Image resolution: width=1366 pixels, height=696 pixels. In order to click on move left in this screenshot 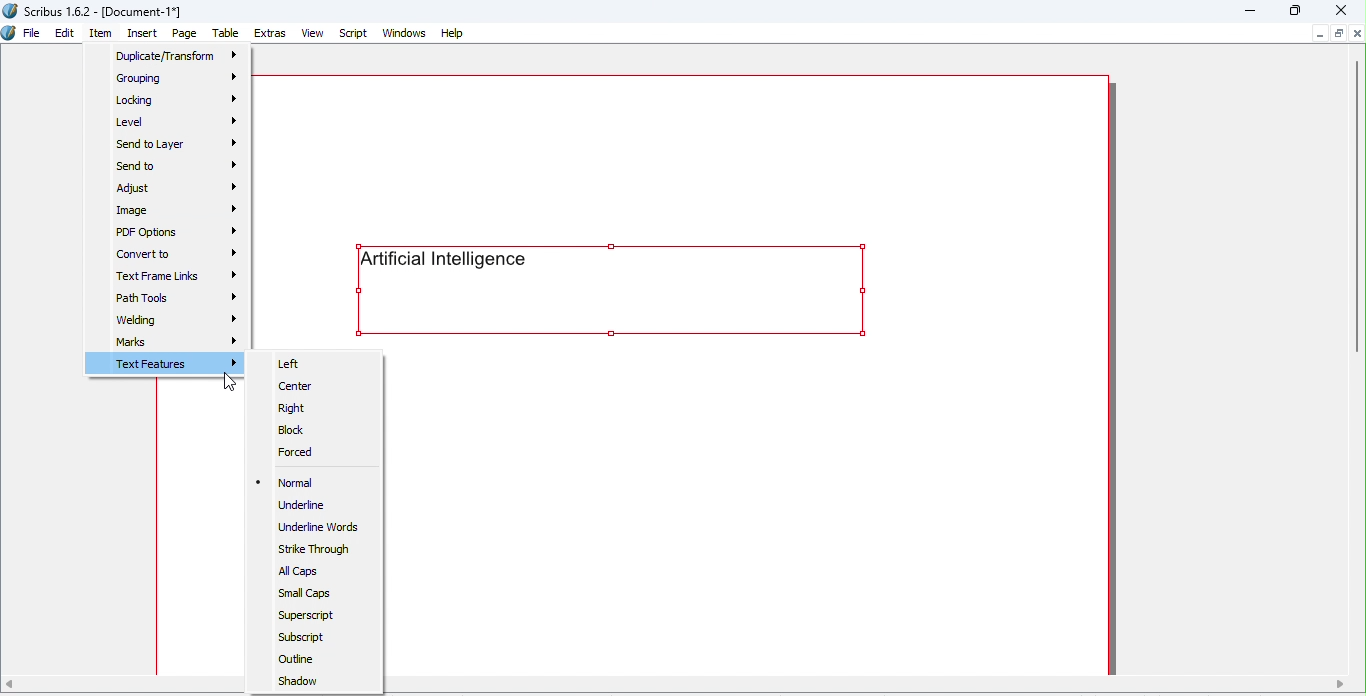, I will do `click(9, 685)`.